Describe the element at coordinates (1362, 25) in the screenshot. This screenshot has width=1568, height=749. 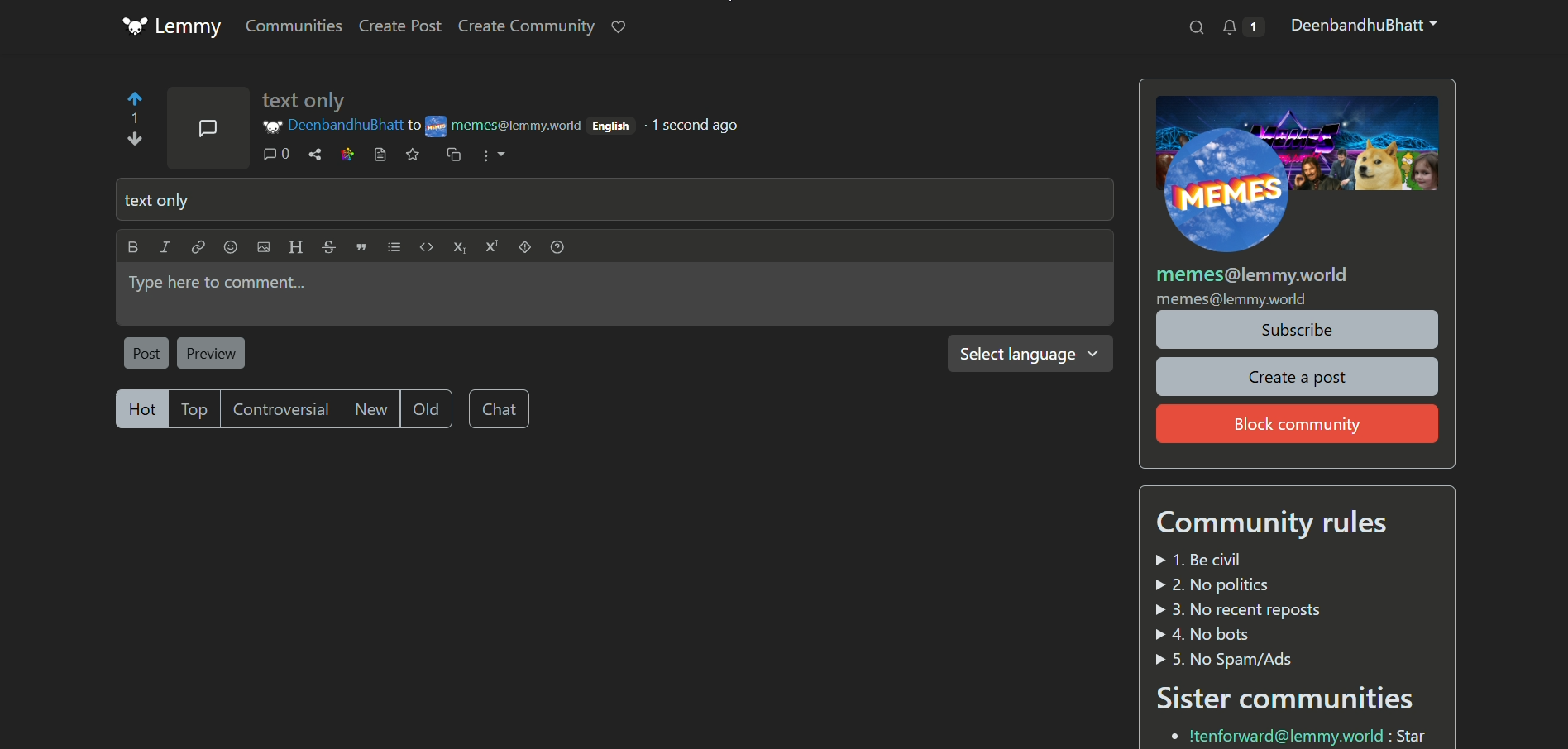
I see `username` at that location.